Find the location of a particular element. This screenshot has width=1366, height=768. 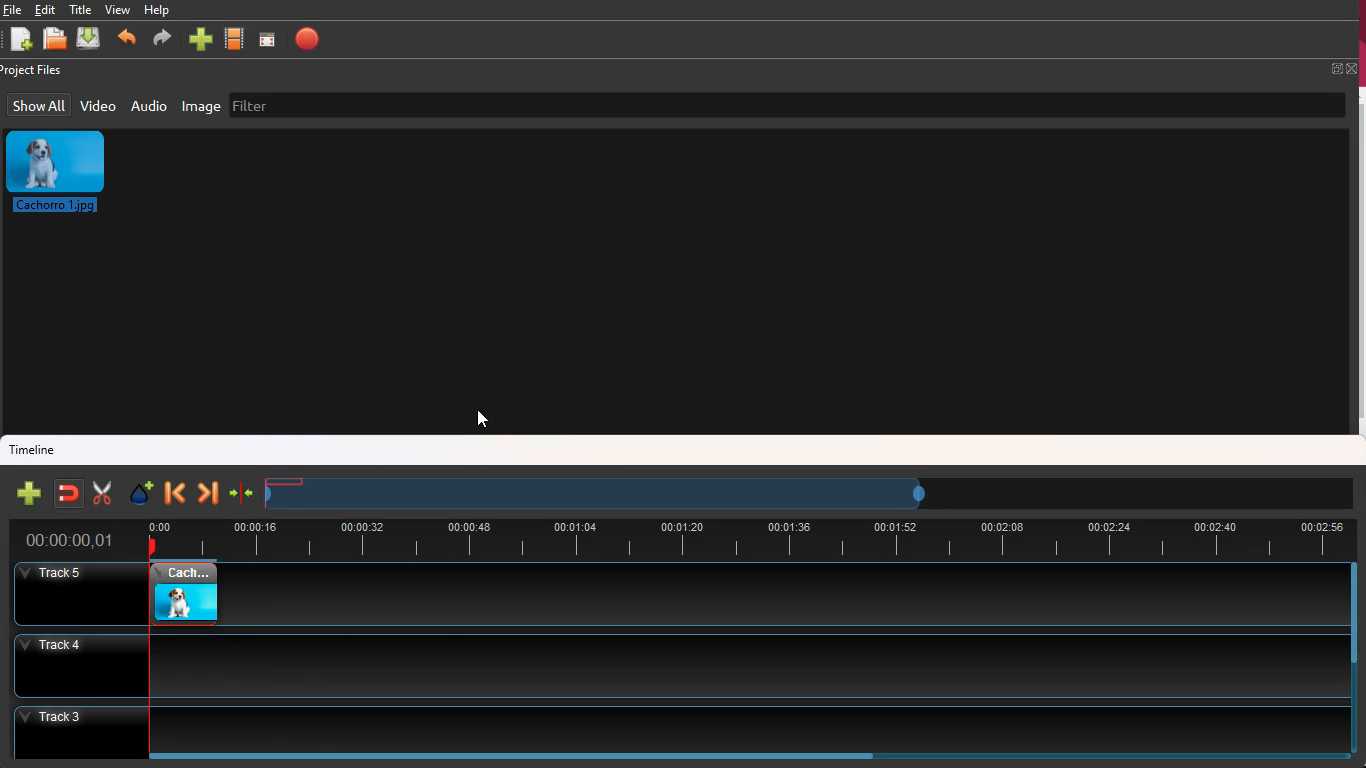

show all is located at coordinates (40, 105).